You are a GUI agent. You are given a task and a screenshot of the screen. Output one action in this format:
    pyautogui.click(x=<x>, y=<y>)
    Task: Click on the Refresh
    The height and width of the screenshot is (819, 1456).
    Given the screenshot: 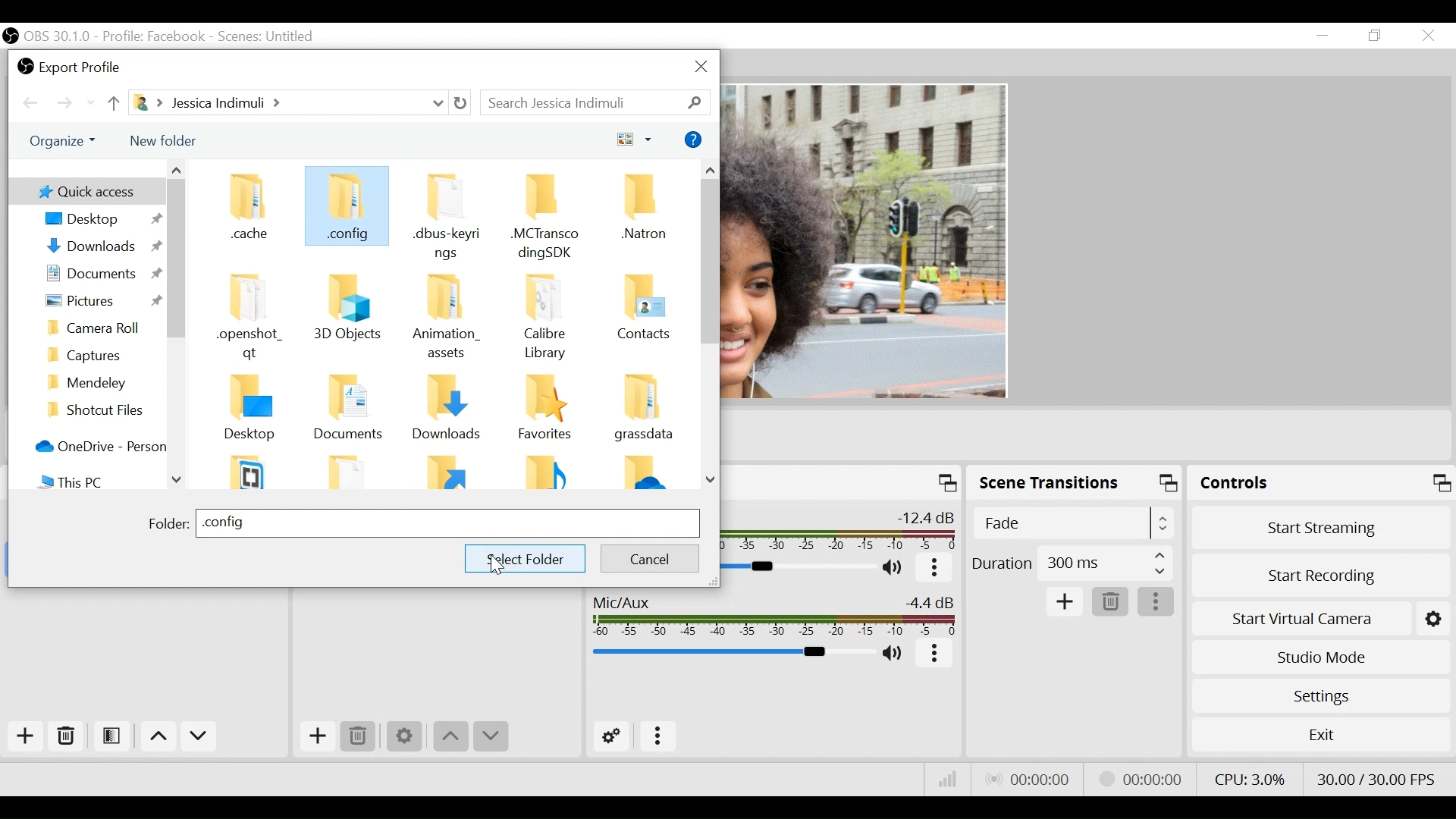 What is the action you would take?
    pyautogui.click(x=463, y=104)
    